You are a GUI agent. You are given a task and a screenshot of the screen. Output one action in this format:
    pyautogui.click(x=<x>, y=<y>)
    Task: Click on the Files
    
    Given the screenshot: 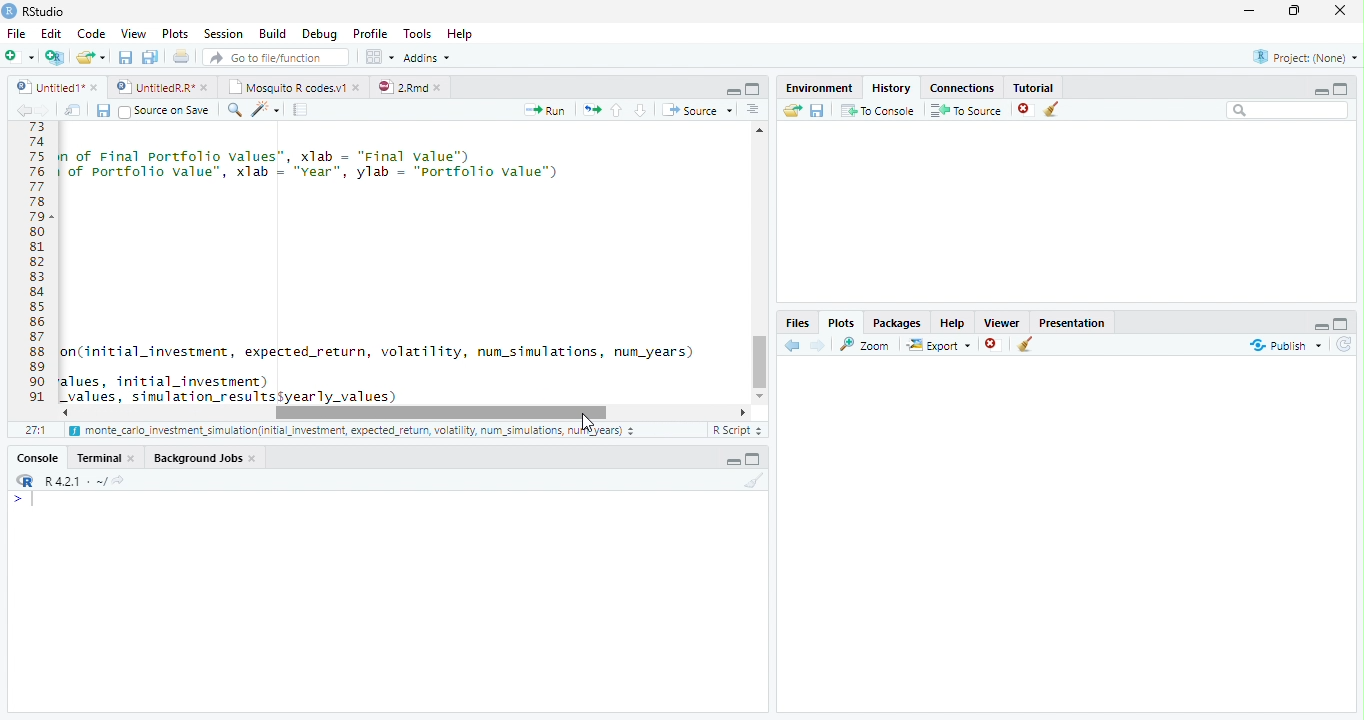 What is the action you would take?
    pyautogui.click(x=798, y=322)
    